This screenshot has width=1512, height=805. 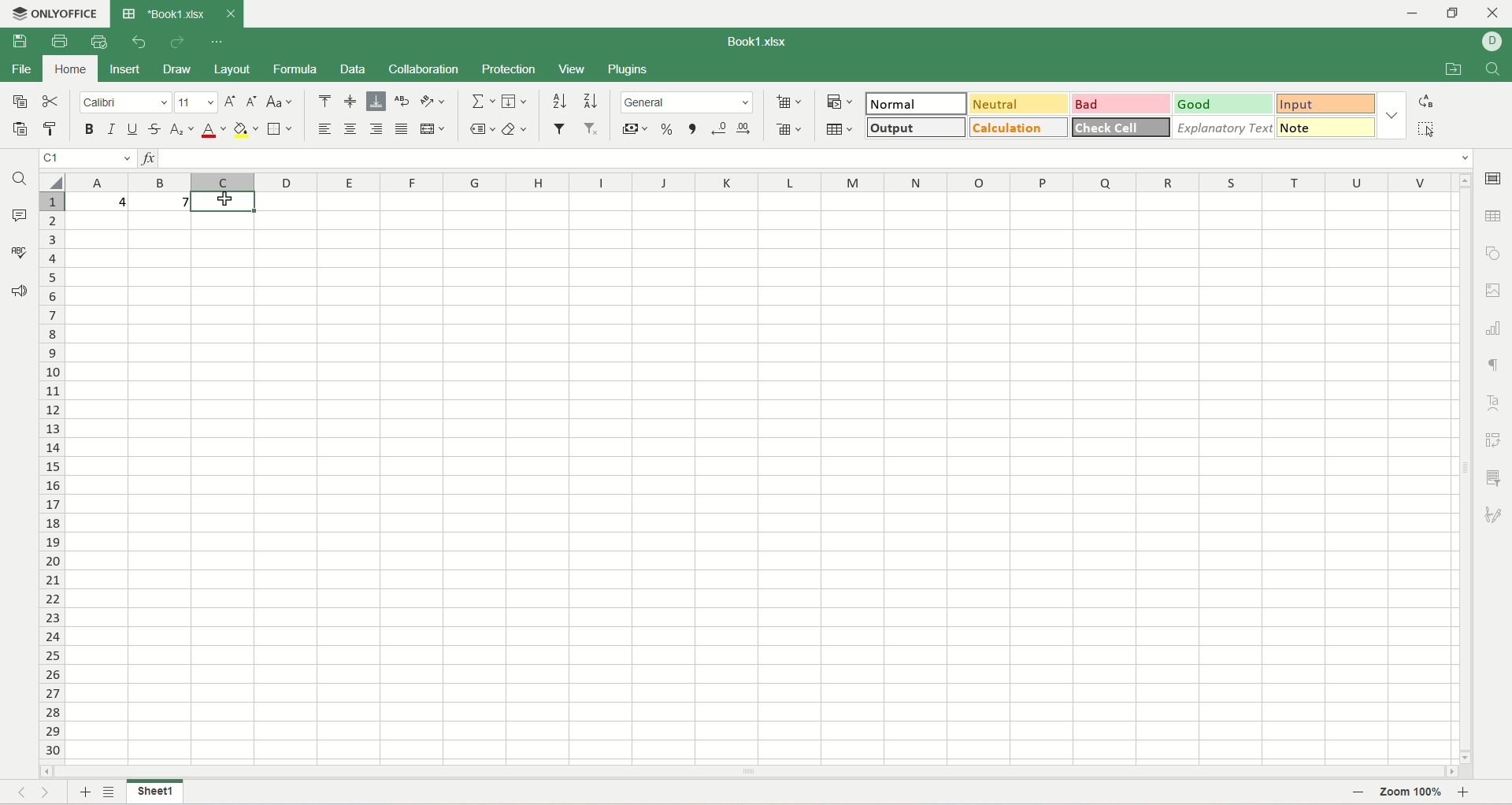 I want to click on paragraph settings, so click(x=1499, y=365).